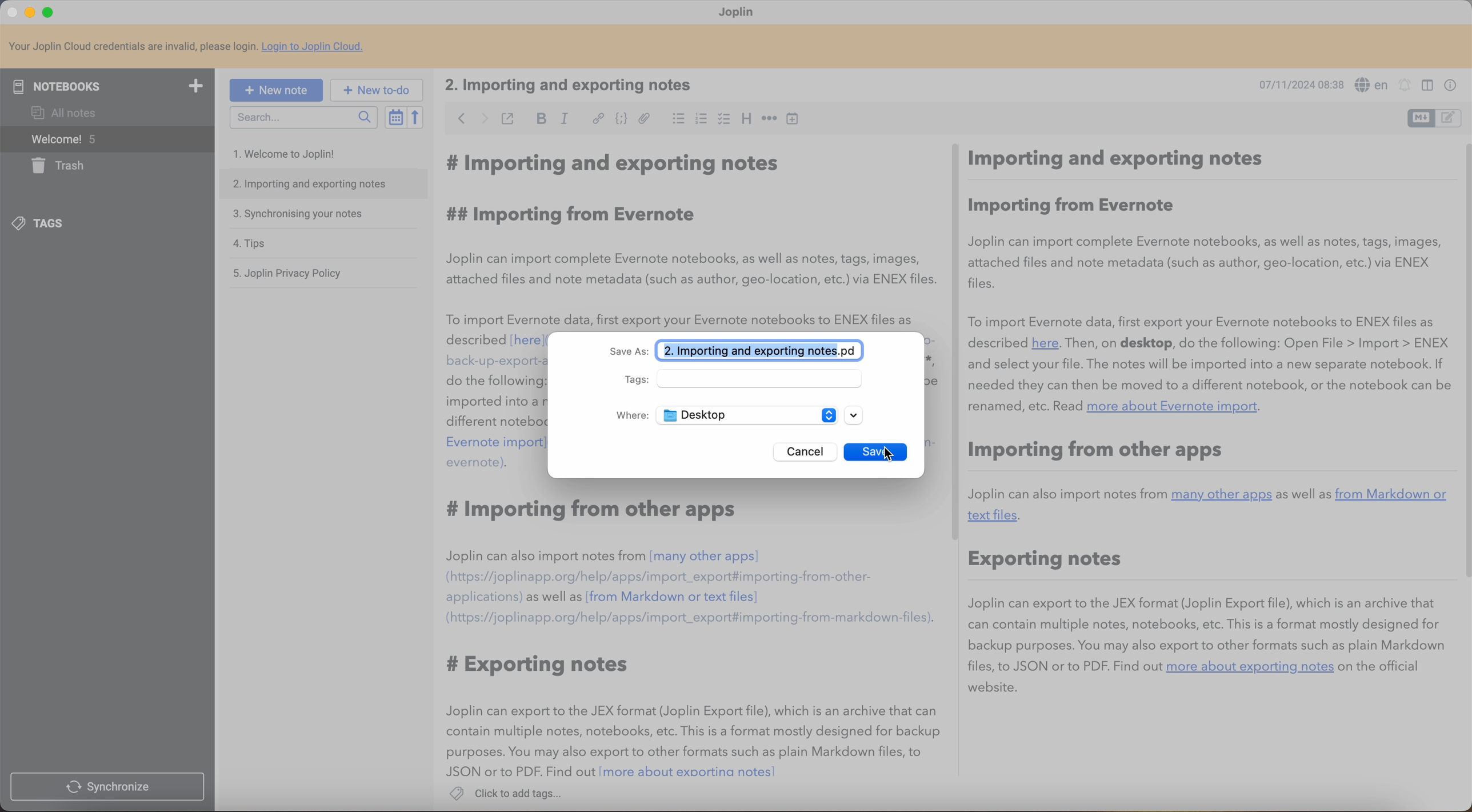  Describe the element at coordinates (958, 343) in the screenshot. I see `scroll bar` at that location.